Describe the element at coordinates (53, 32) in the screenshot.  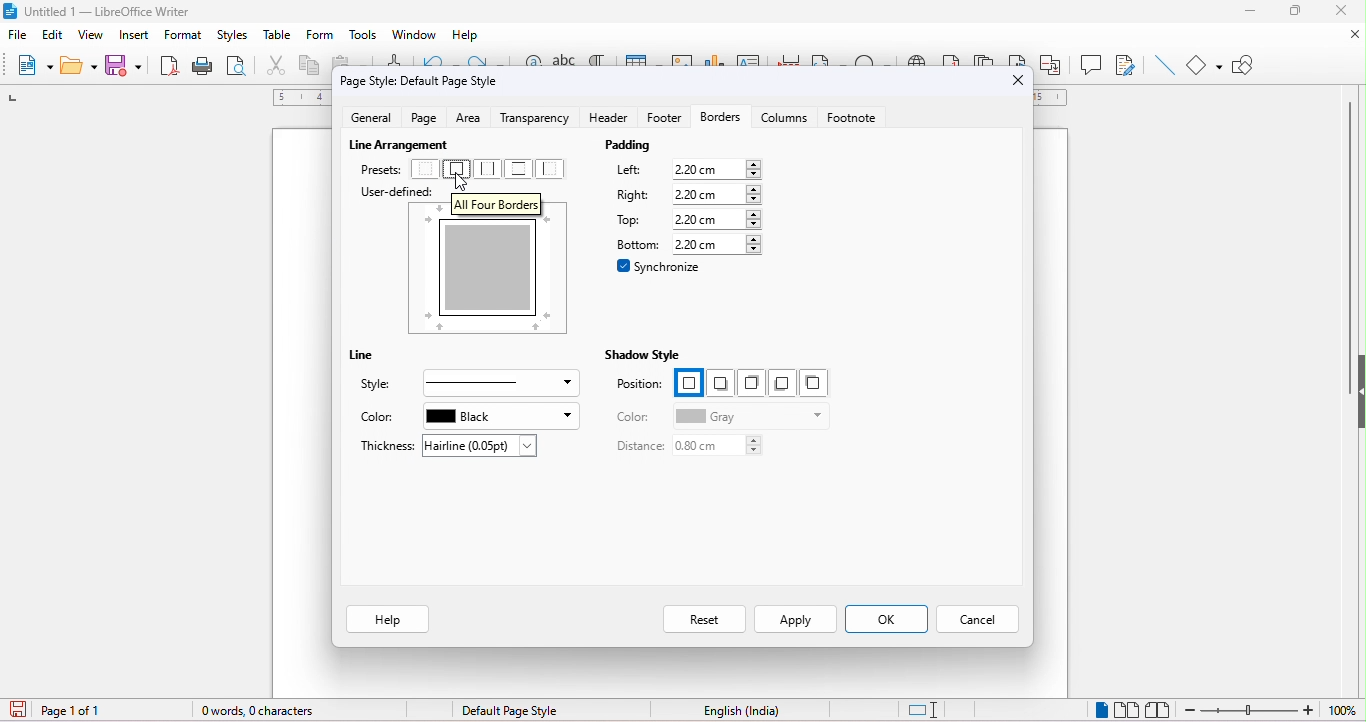
I see `edit` at that location.